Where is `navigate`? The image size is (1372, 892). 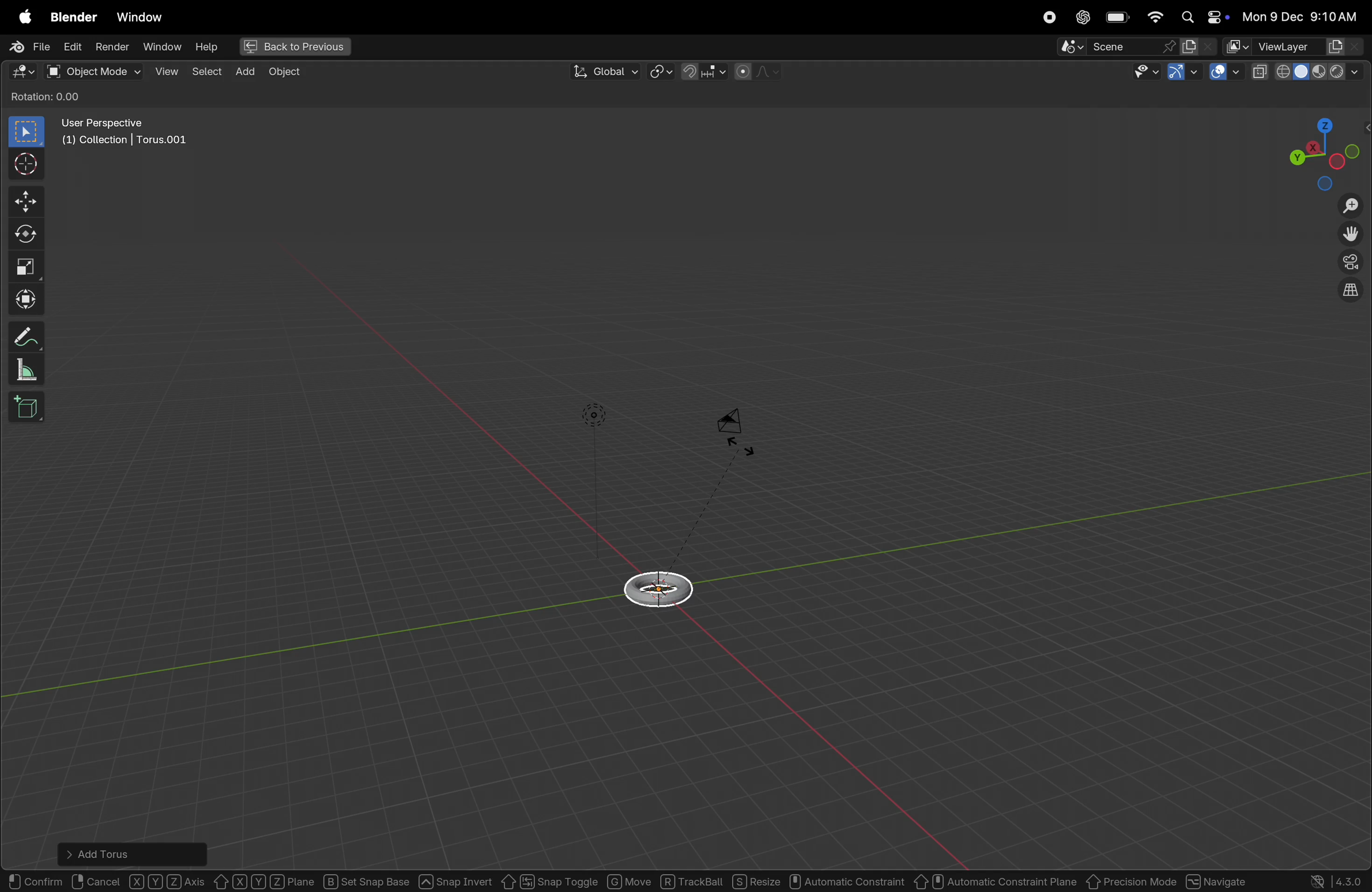 navigate is located at coordinates (1220, 879).